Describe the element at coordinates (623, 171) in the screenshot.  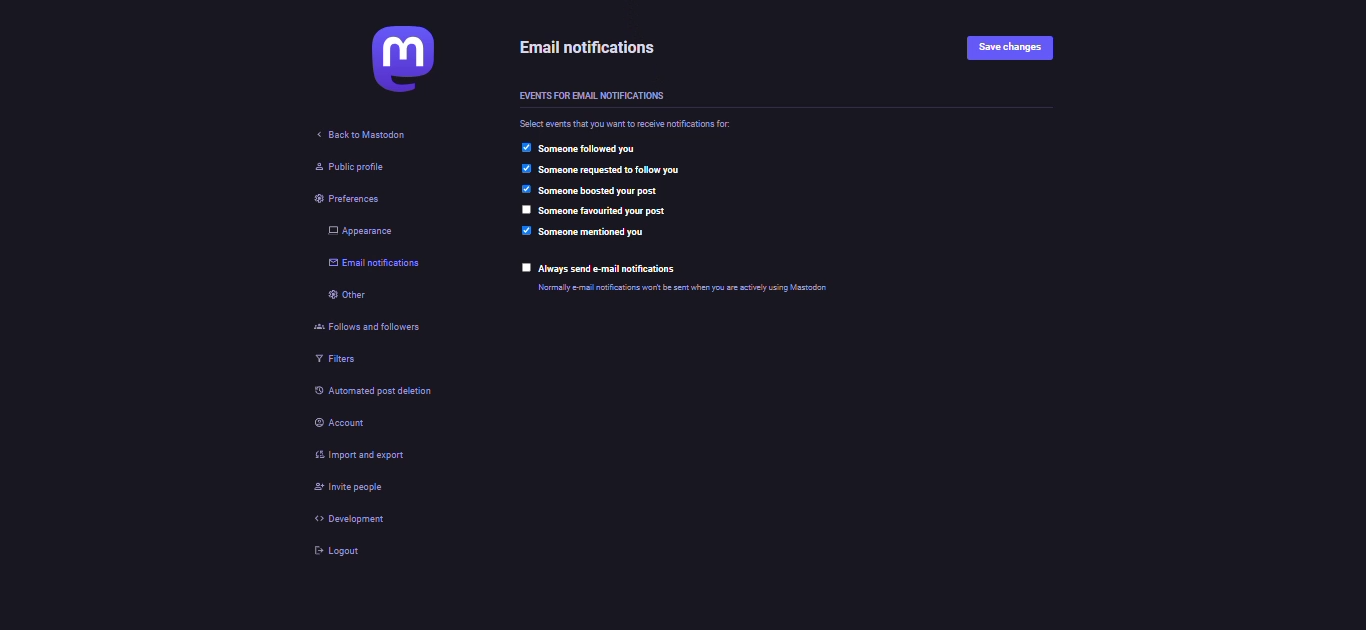
I see `someone requested to follow you` at that location.